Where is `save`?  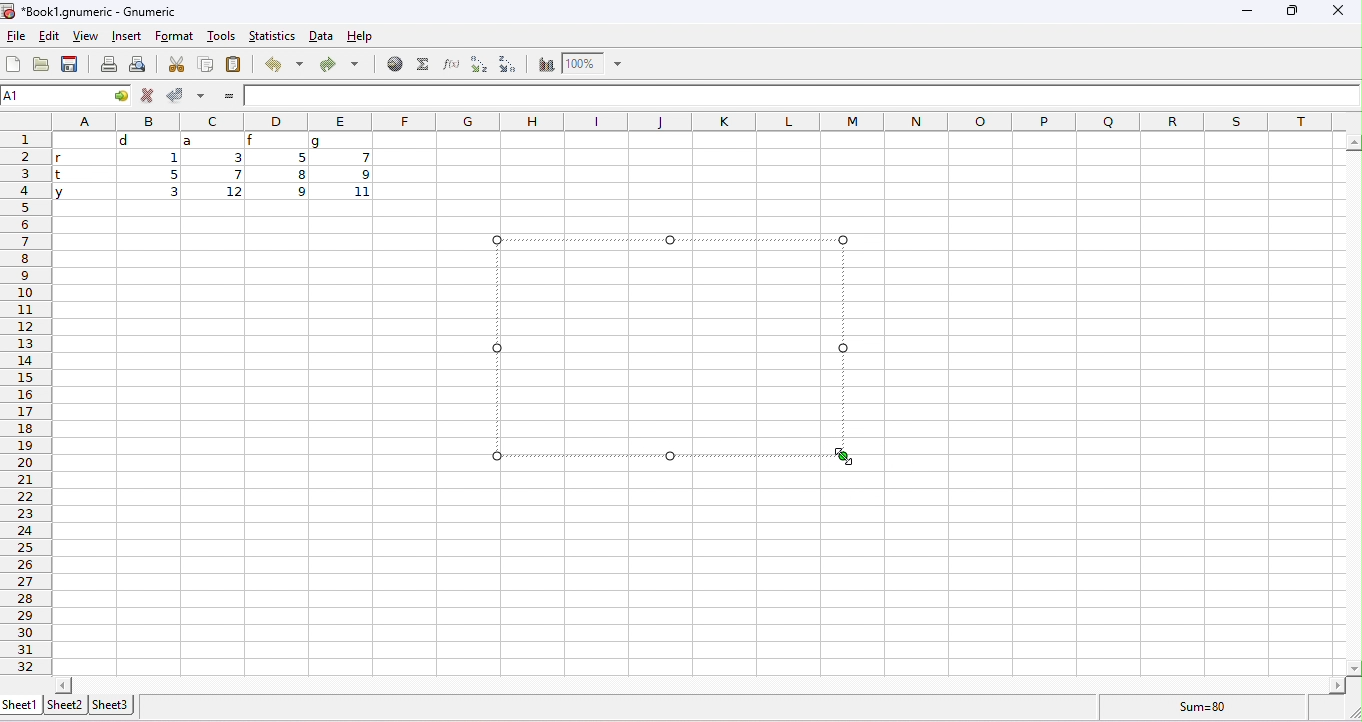 save is located at coordinates (70, 63).